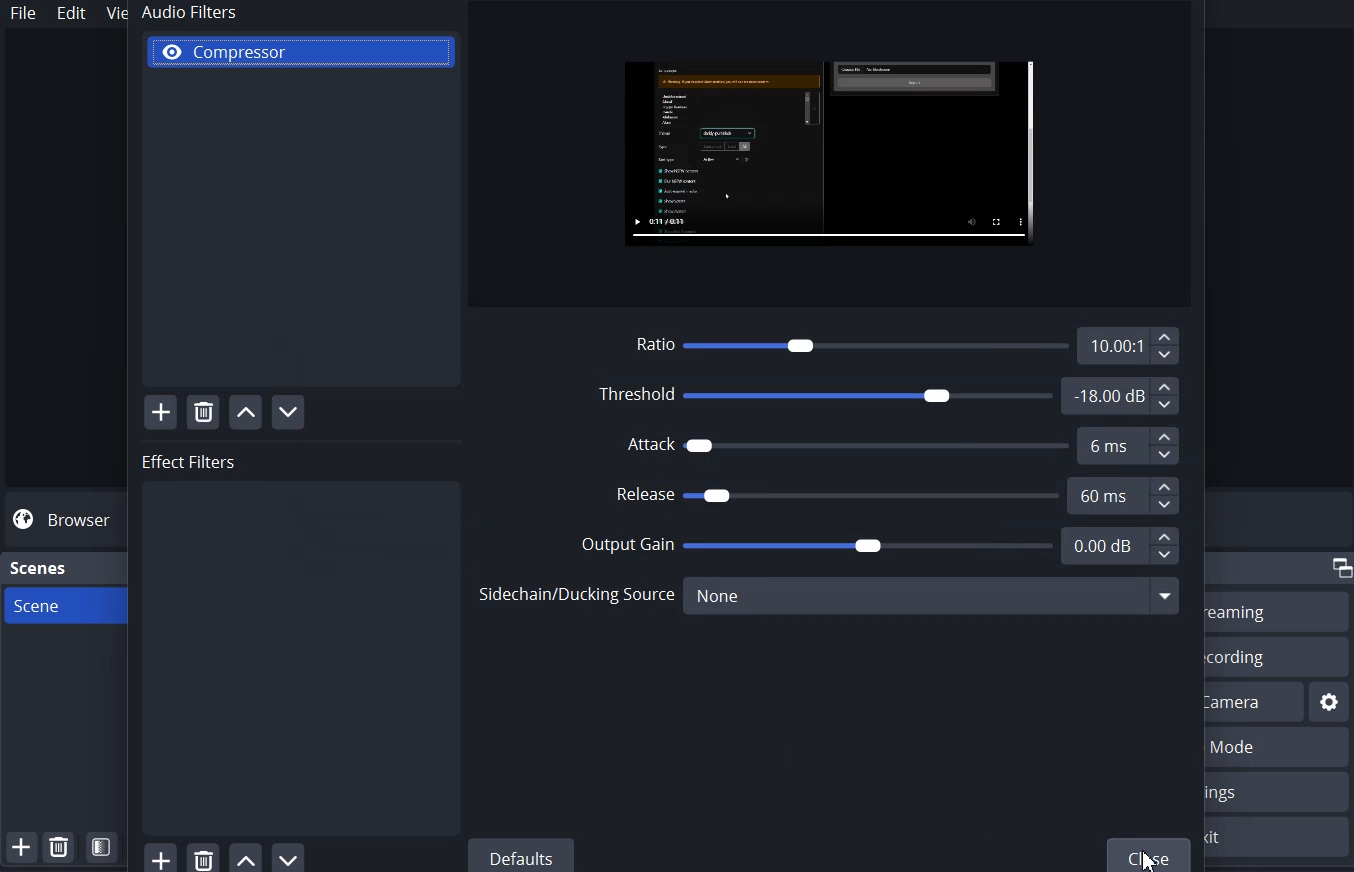 Image resolution: width=1354 pixels, height=872 pixels. I want to click on Sidechain/Ducking Source  none, so click(829, 596).